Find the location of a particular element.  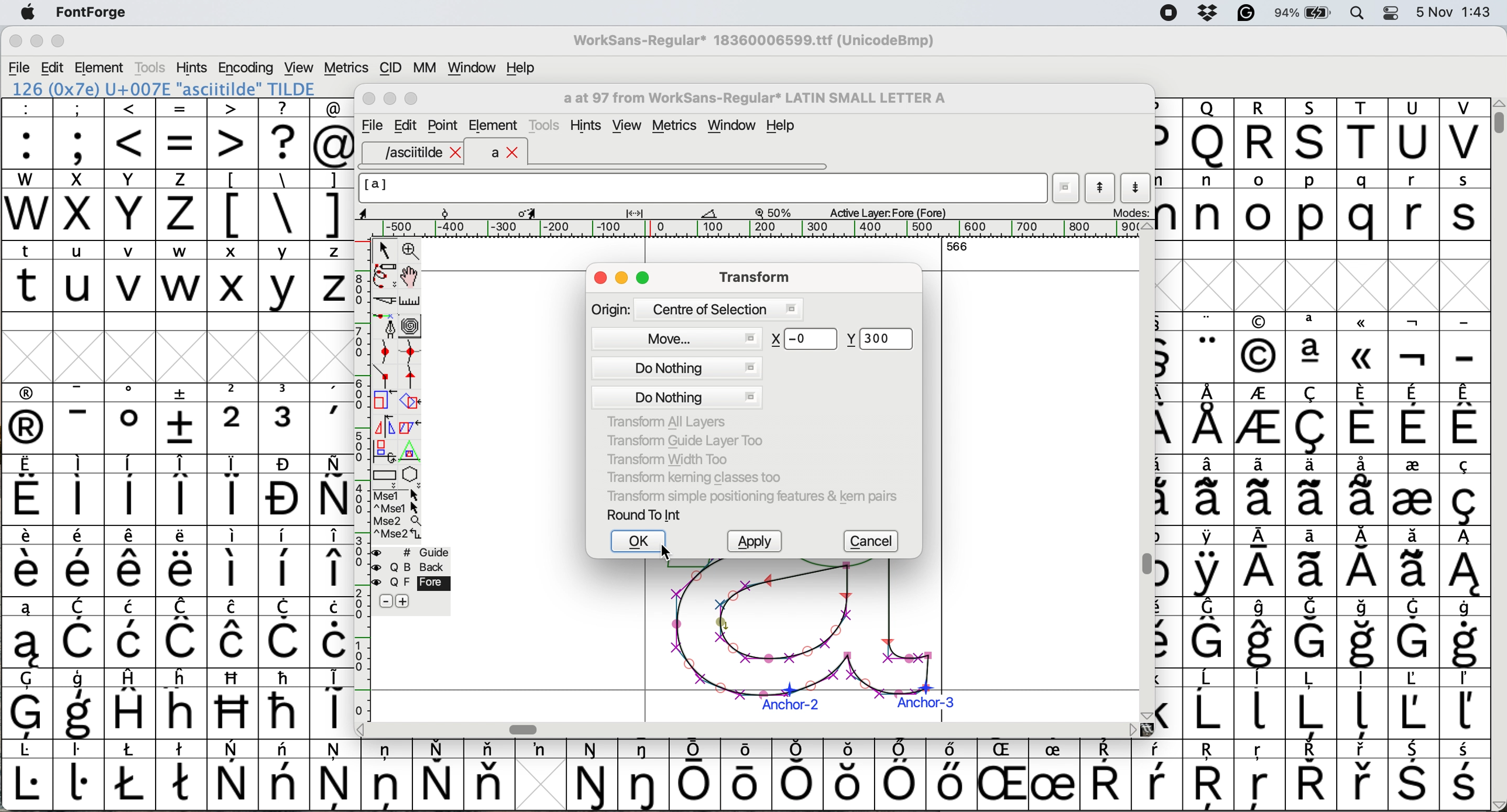

new y value is located at coordinates (884, 340).